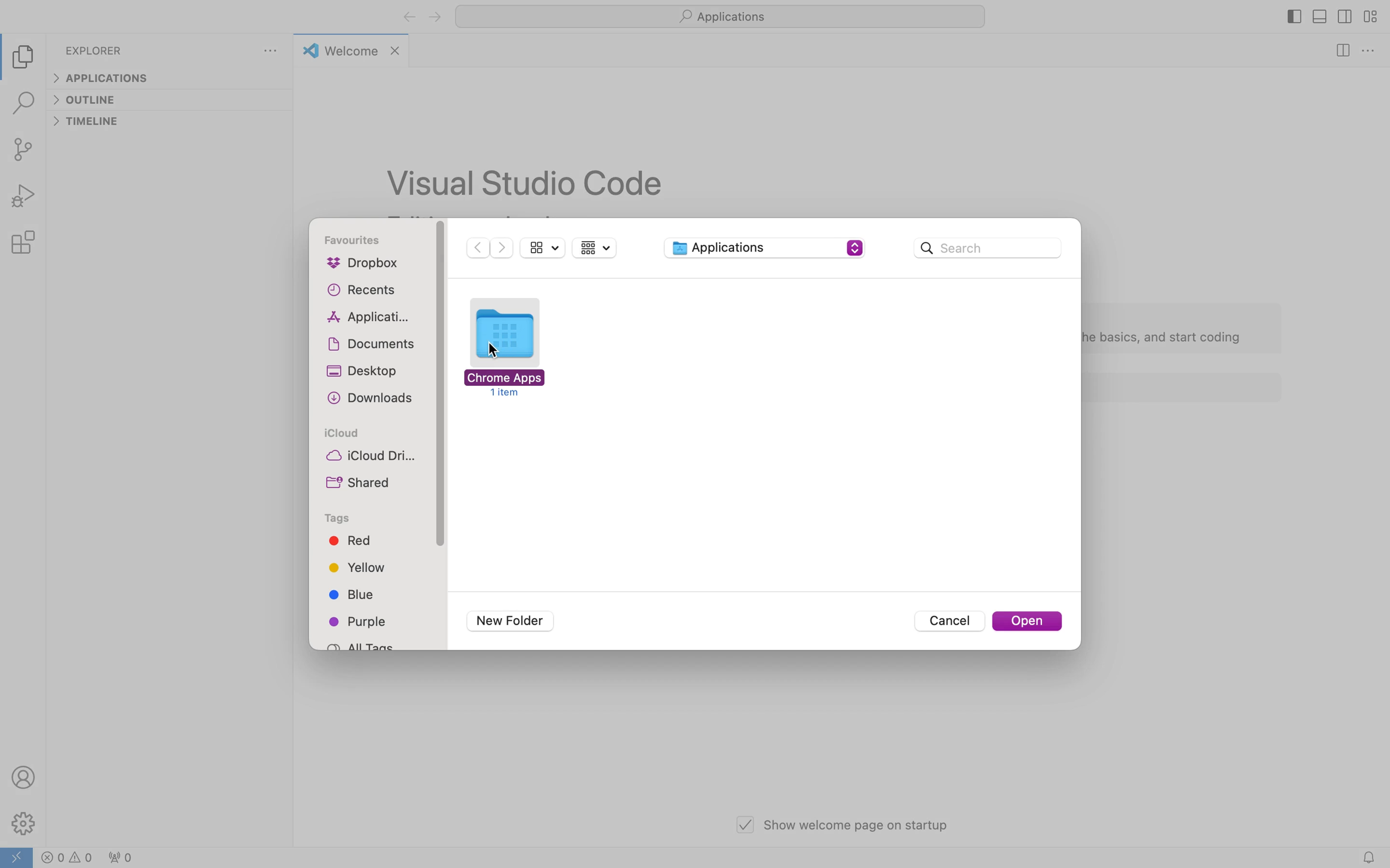 The height and width of the screenshot is (868, 1390). I want to click on more options, so click(1368, 53).